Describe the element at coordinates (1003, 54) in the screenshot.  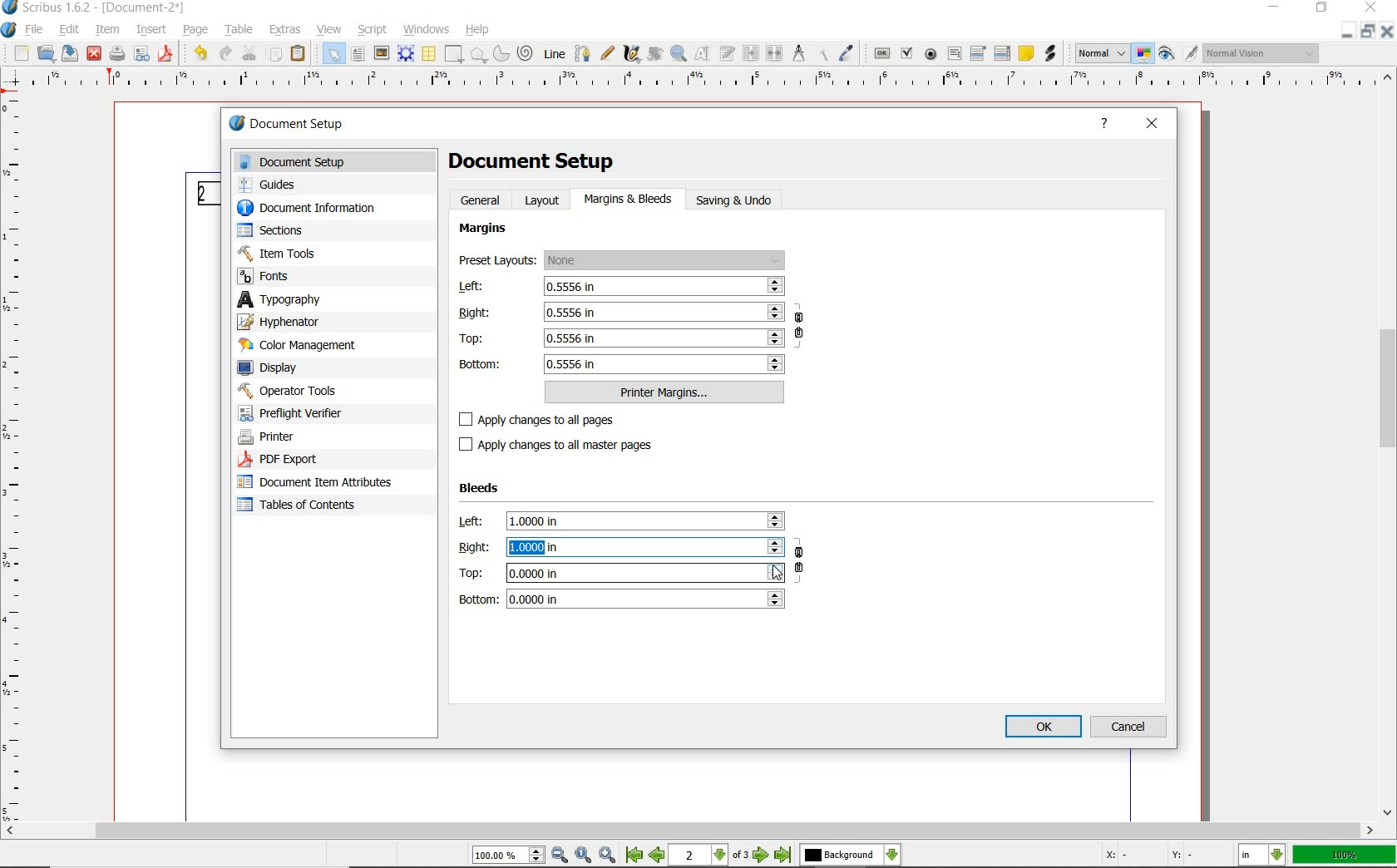
I see `pdf list box` at that location.